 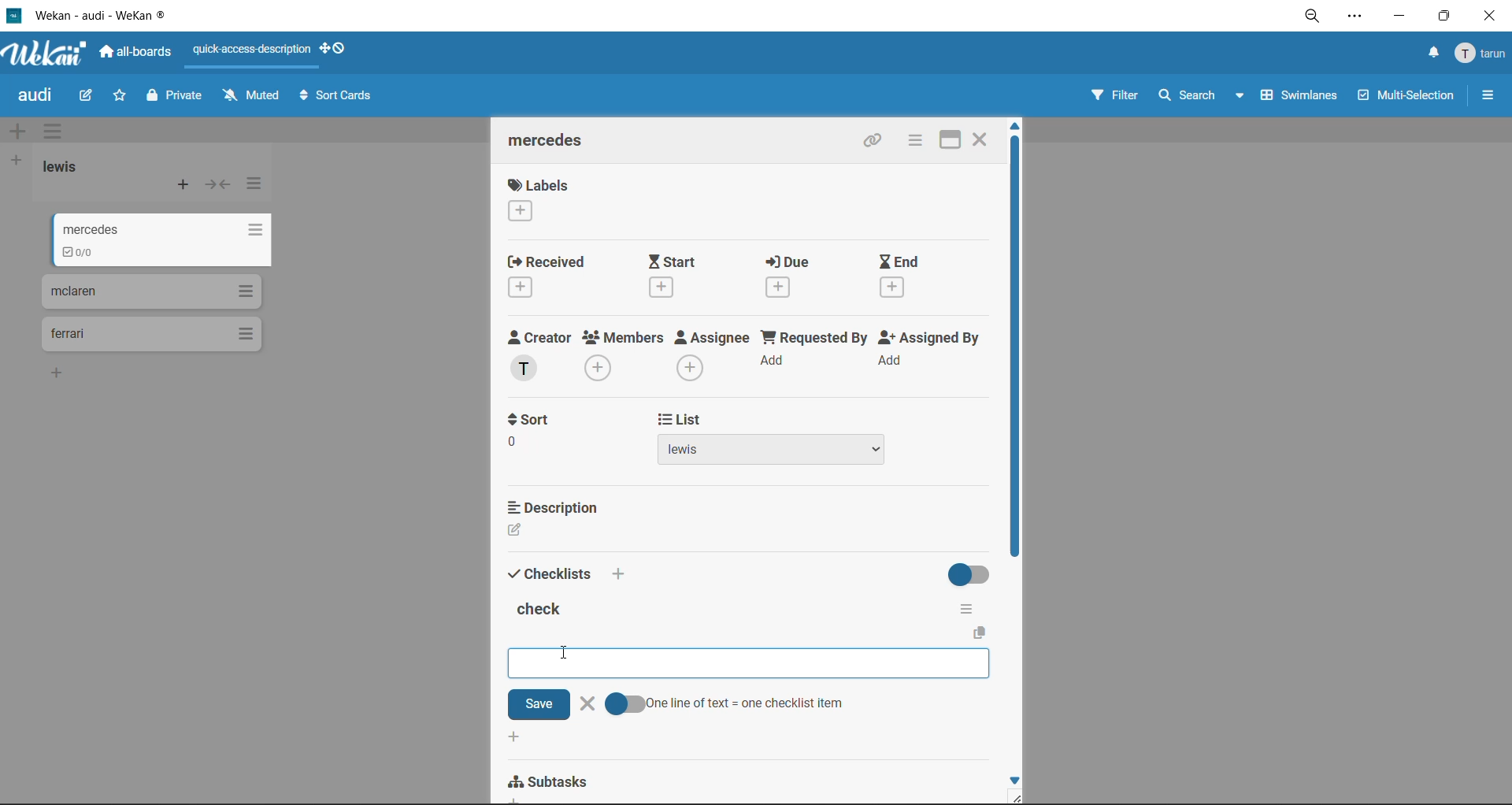 I want to click on checklists, so click(x=550, y=572).